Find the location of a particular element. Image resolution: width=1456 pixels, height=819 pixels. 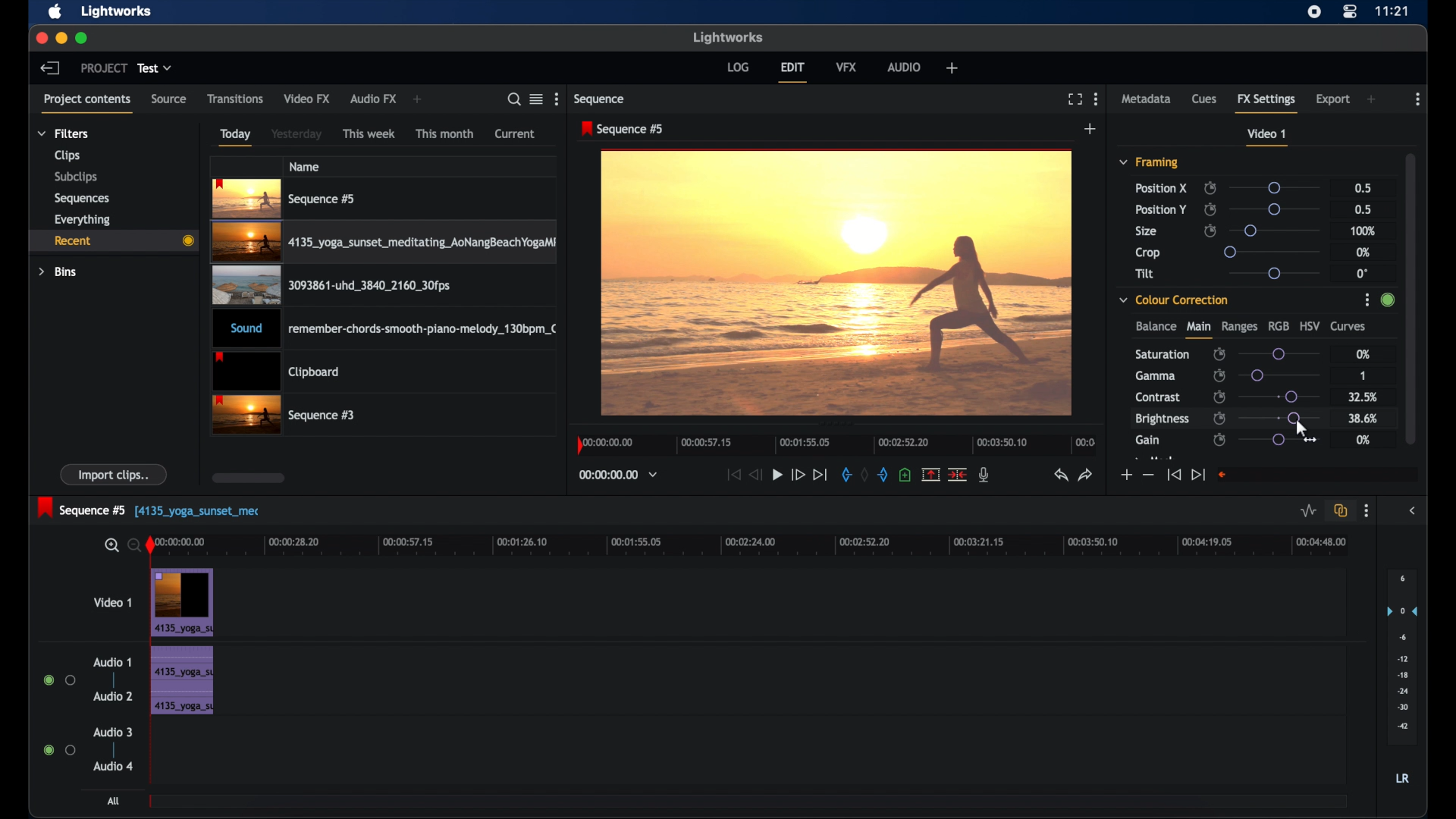

time is located at coordinates (1392, 11).